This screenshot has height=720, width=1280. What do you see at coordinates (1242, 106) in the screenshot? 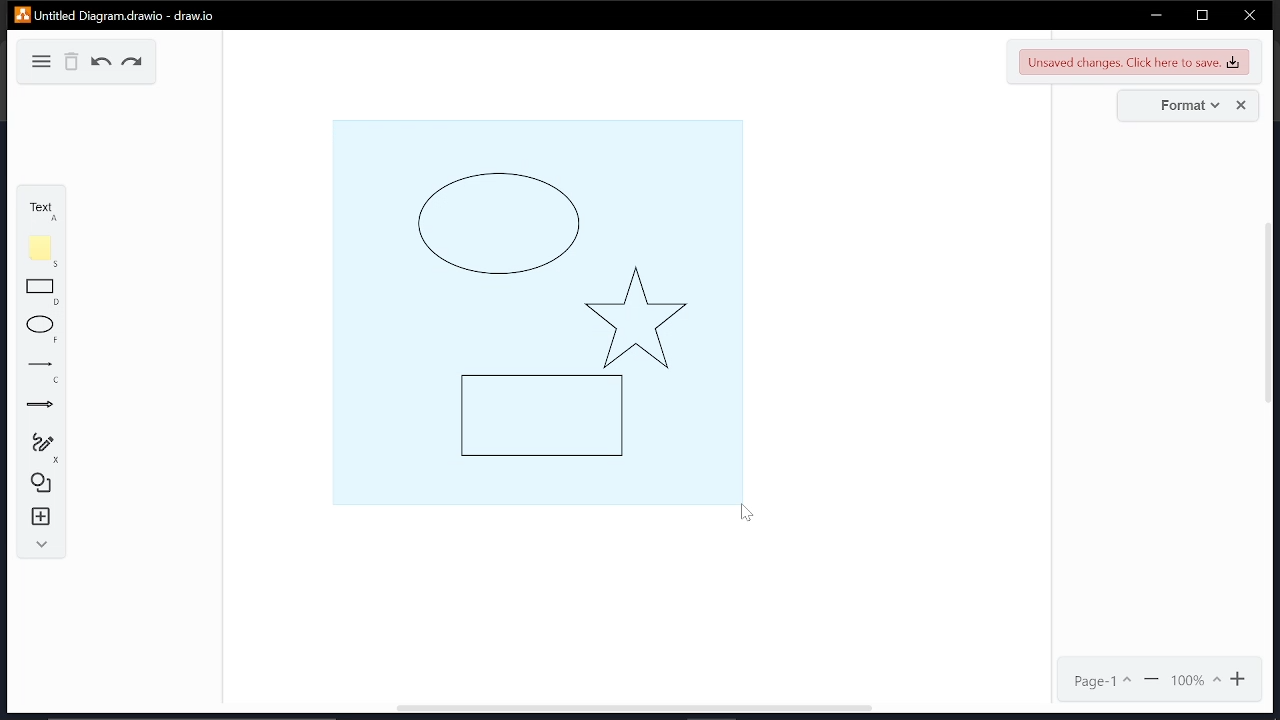
I see `close` at bounding box center [1242, 106].